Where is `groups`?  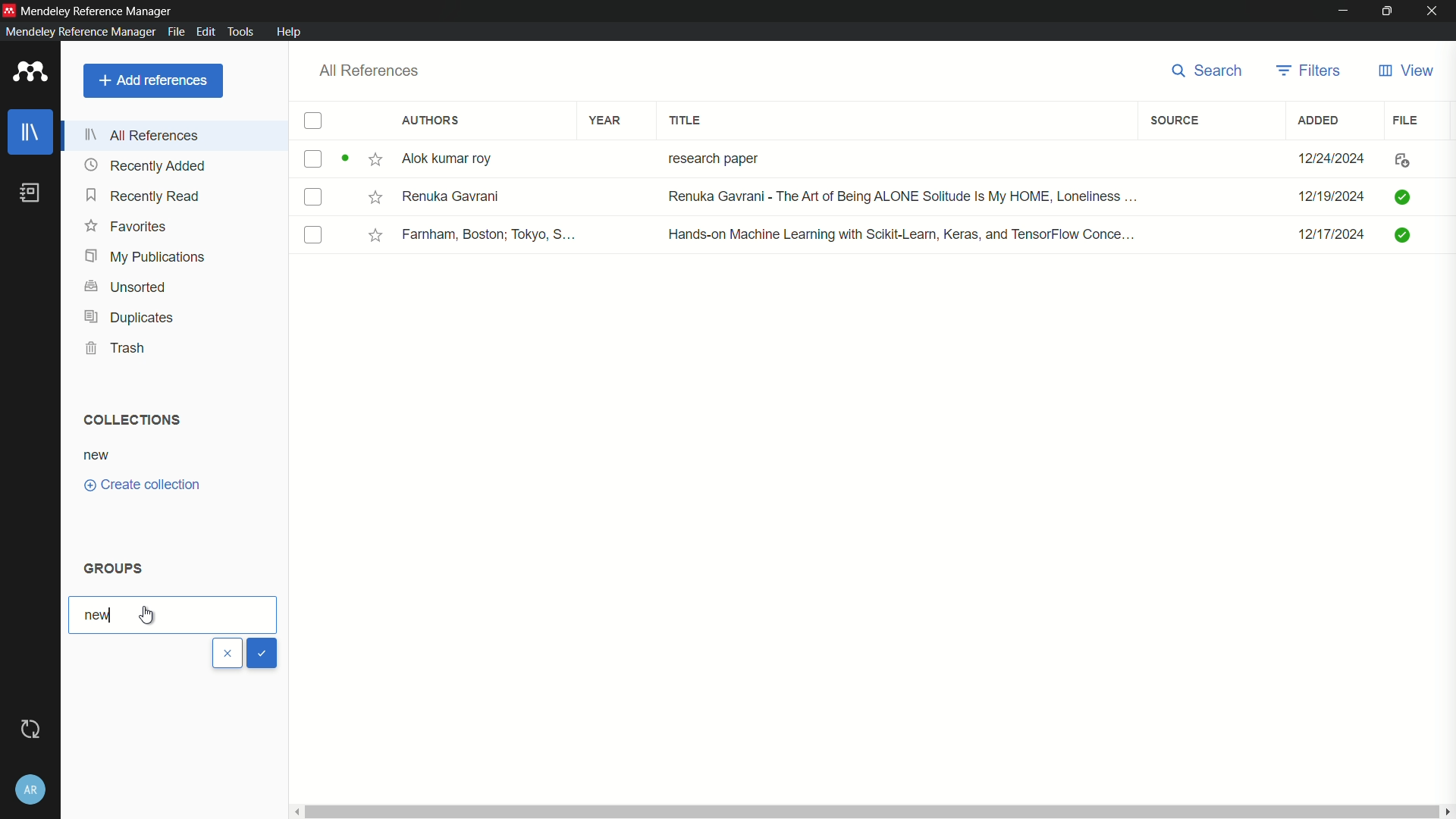 groups is located at coordinates (115, 569).